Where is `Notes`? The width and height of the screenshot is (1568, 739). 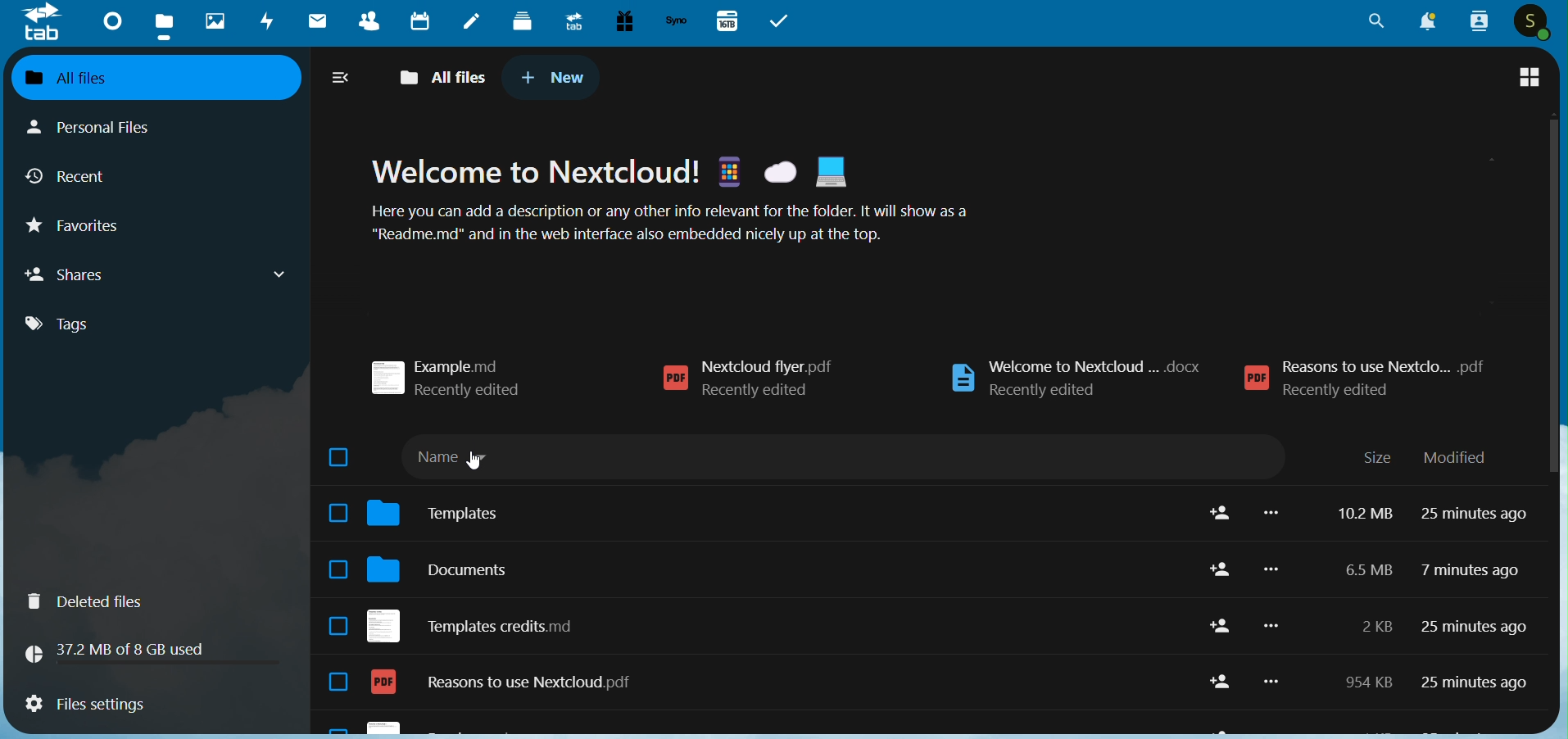 Notes is located at coordinates (473, 21).